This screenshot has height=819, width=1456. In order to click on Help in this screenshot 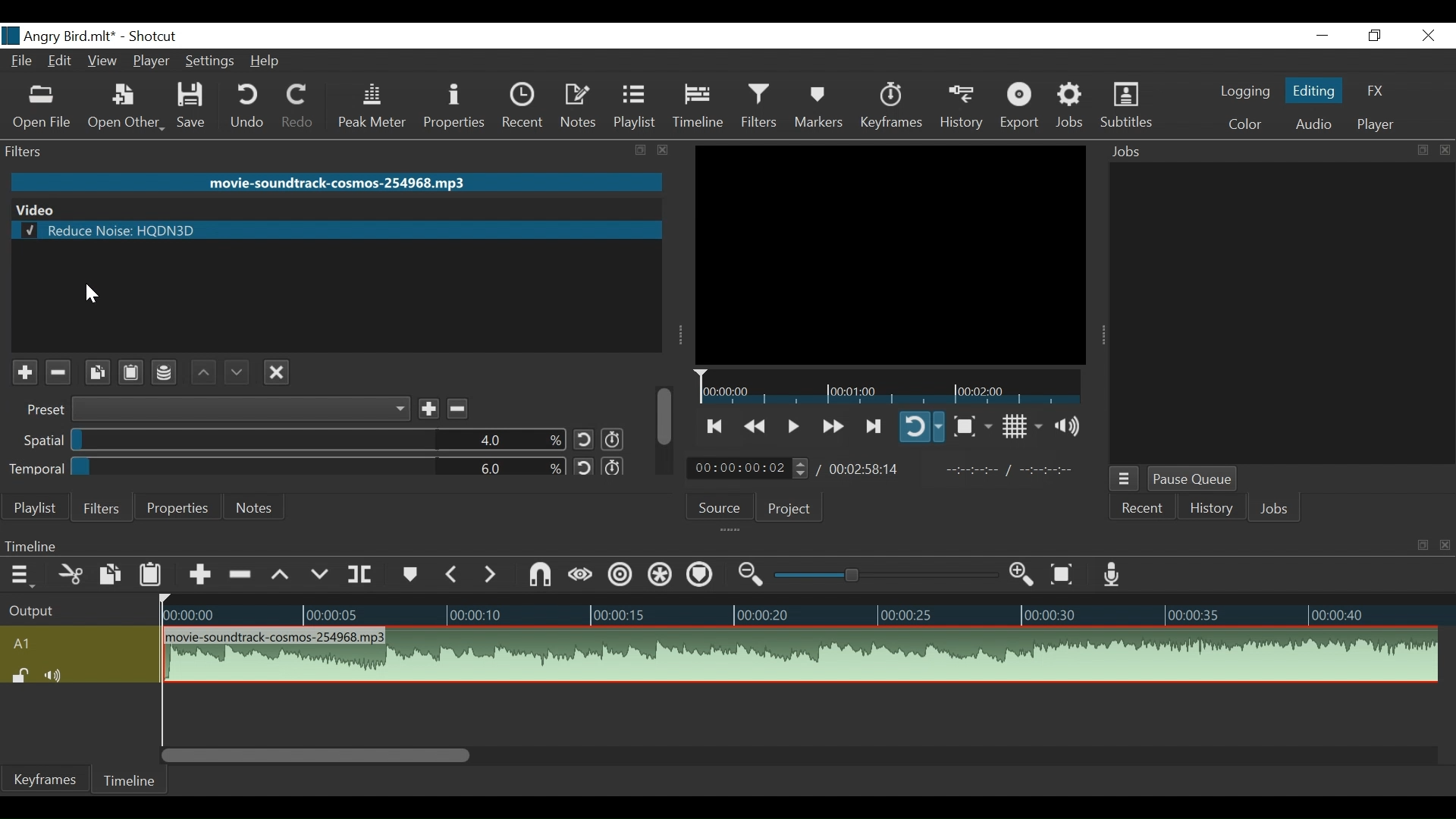, I will do `click(266, 61)`.